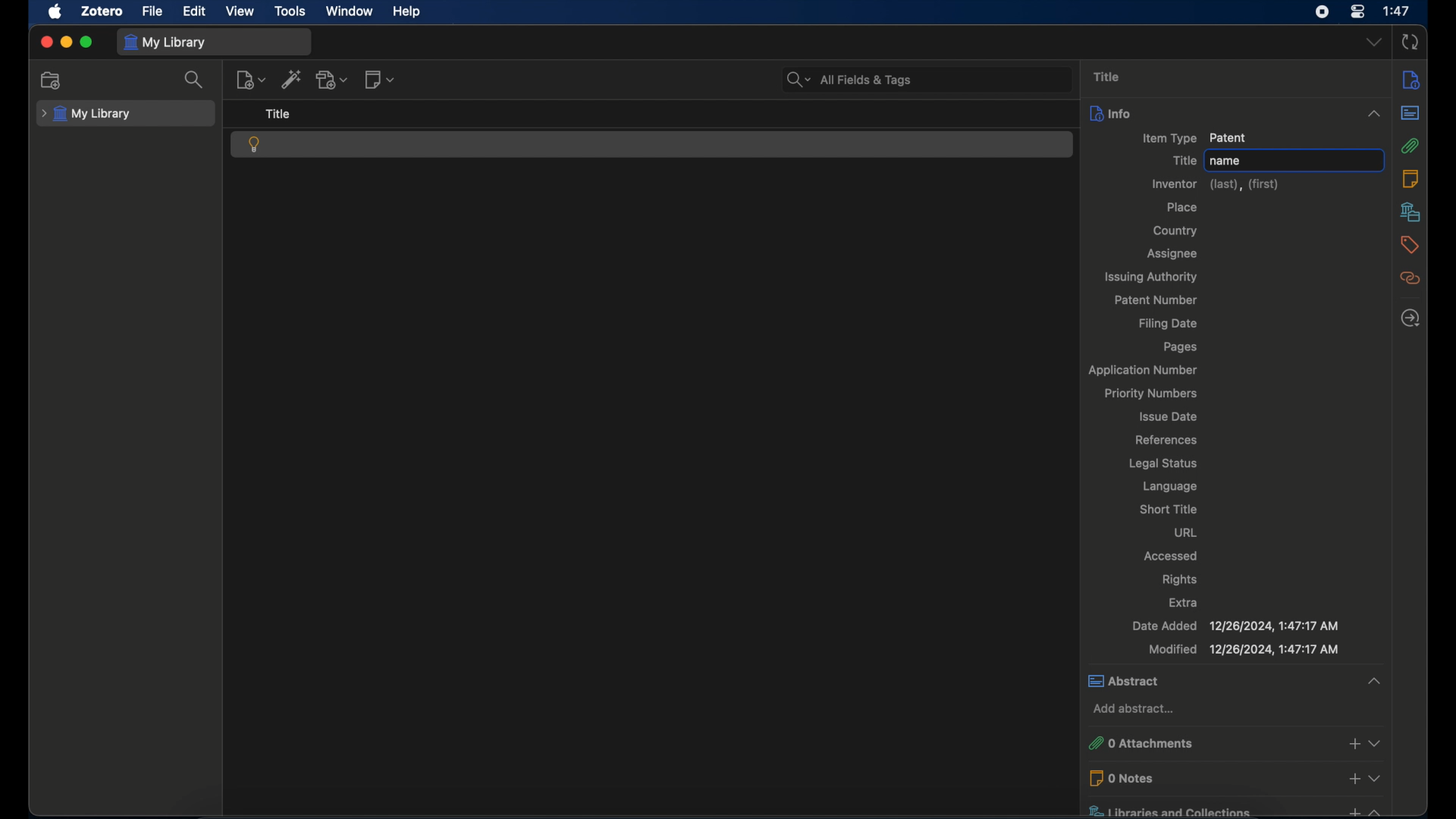 This screenshot has height=819, width=1456. I want to click on libraries, so click(1410, 212).